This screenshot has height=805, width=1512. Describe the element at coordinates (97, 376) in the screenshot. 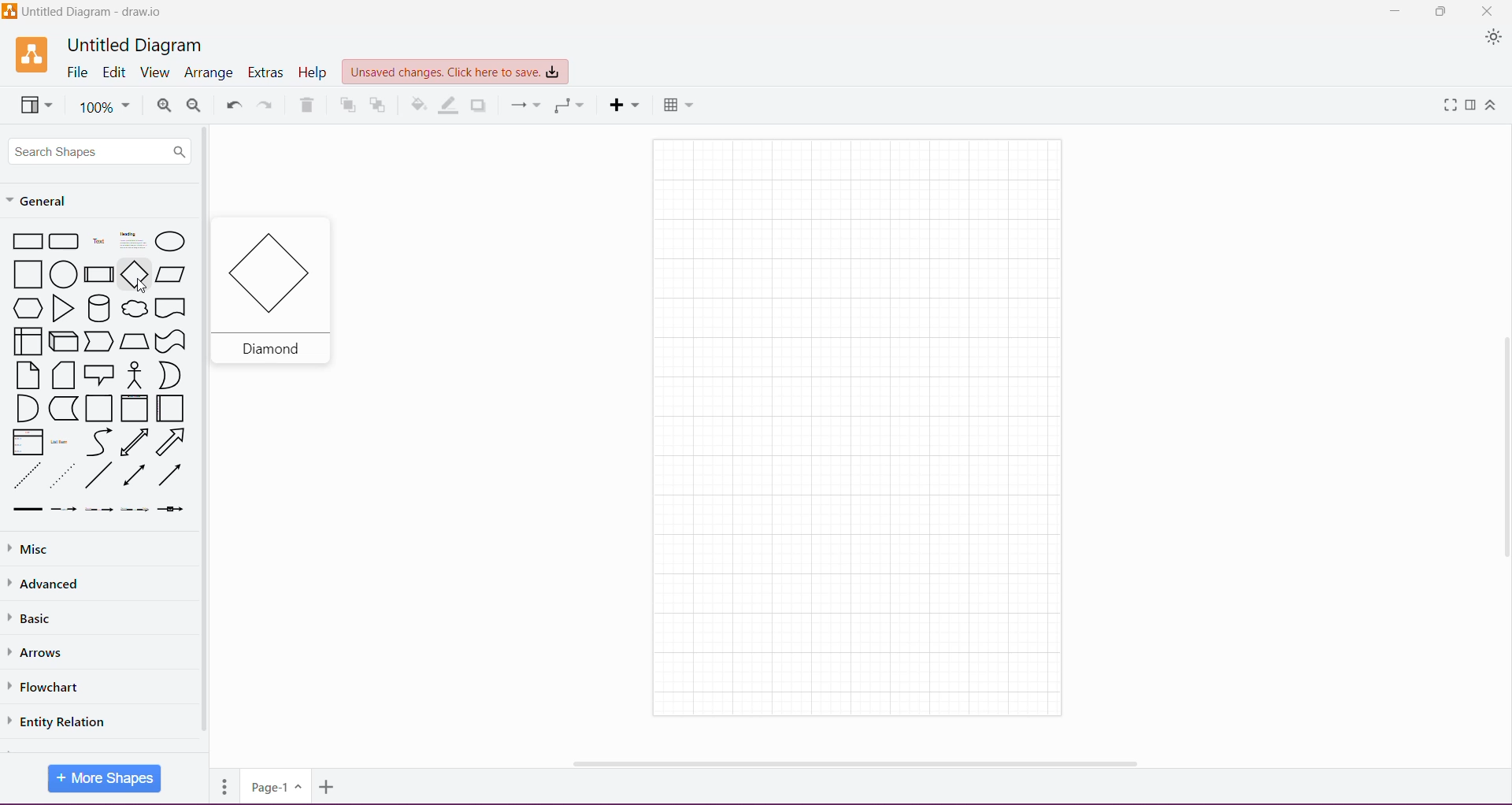

I see `Available Shapes under General` at that location.